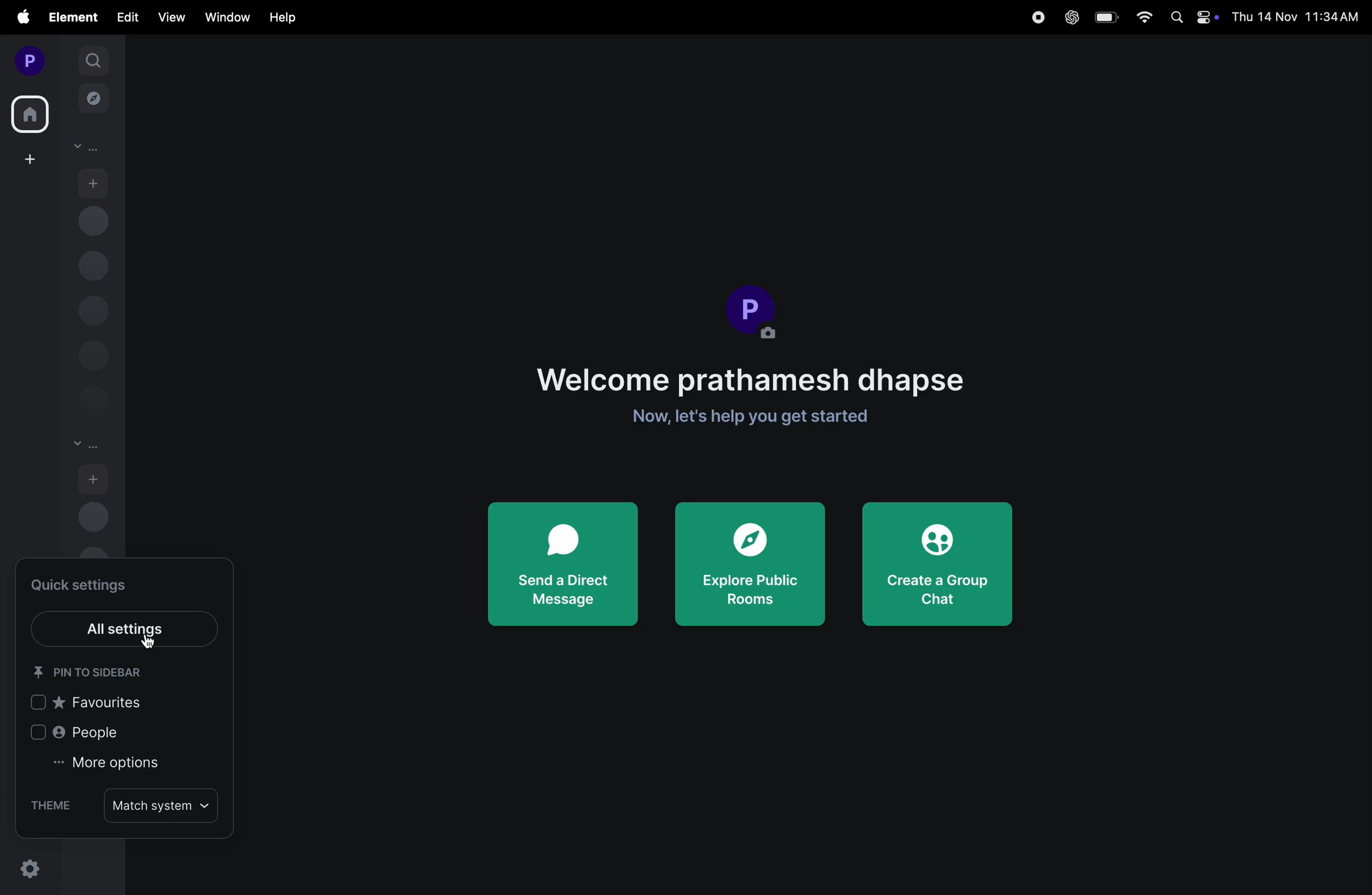 This screenshot has height=895, width=1372. What do you see at coordinates (27, 59) in the screenshot?
I see `profile` at bounding box center [27, 59].